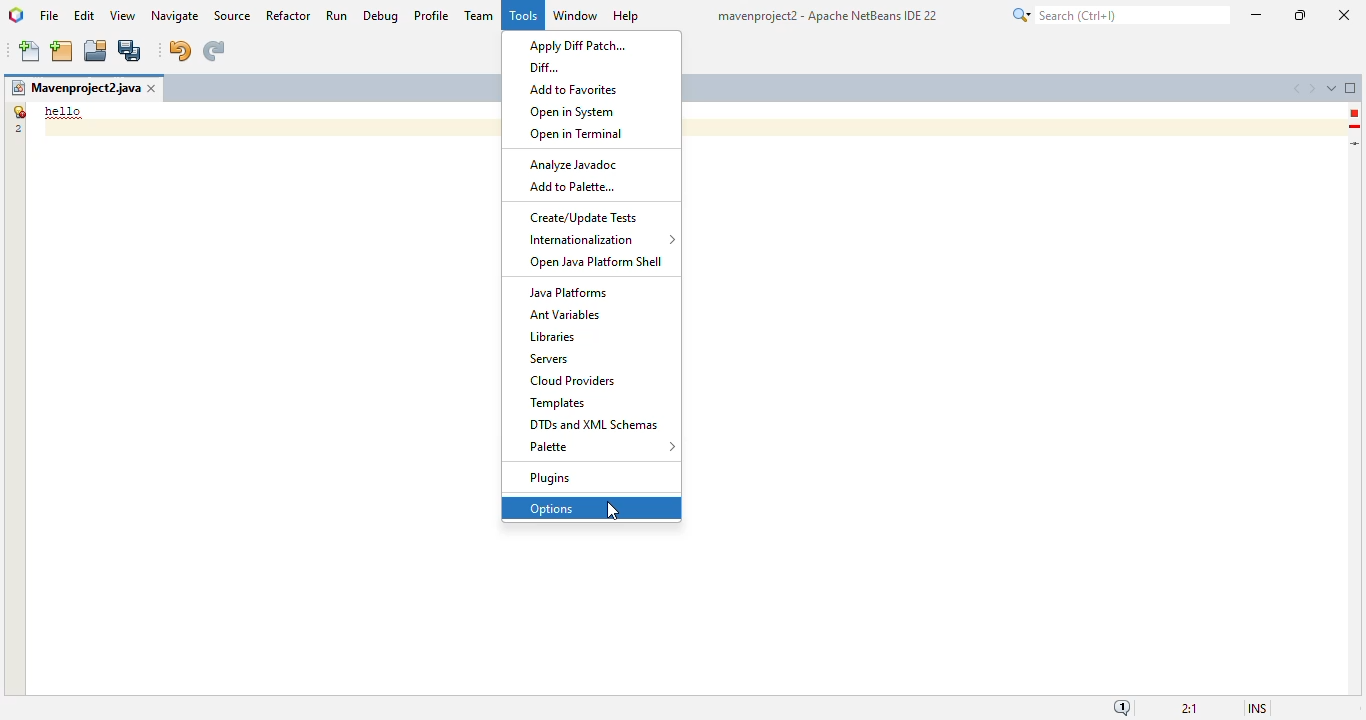 The image size is (1366, 720). Describe the element at coordinates (611, 510) in the screenshot. I see `cursor` at that location.